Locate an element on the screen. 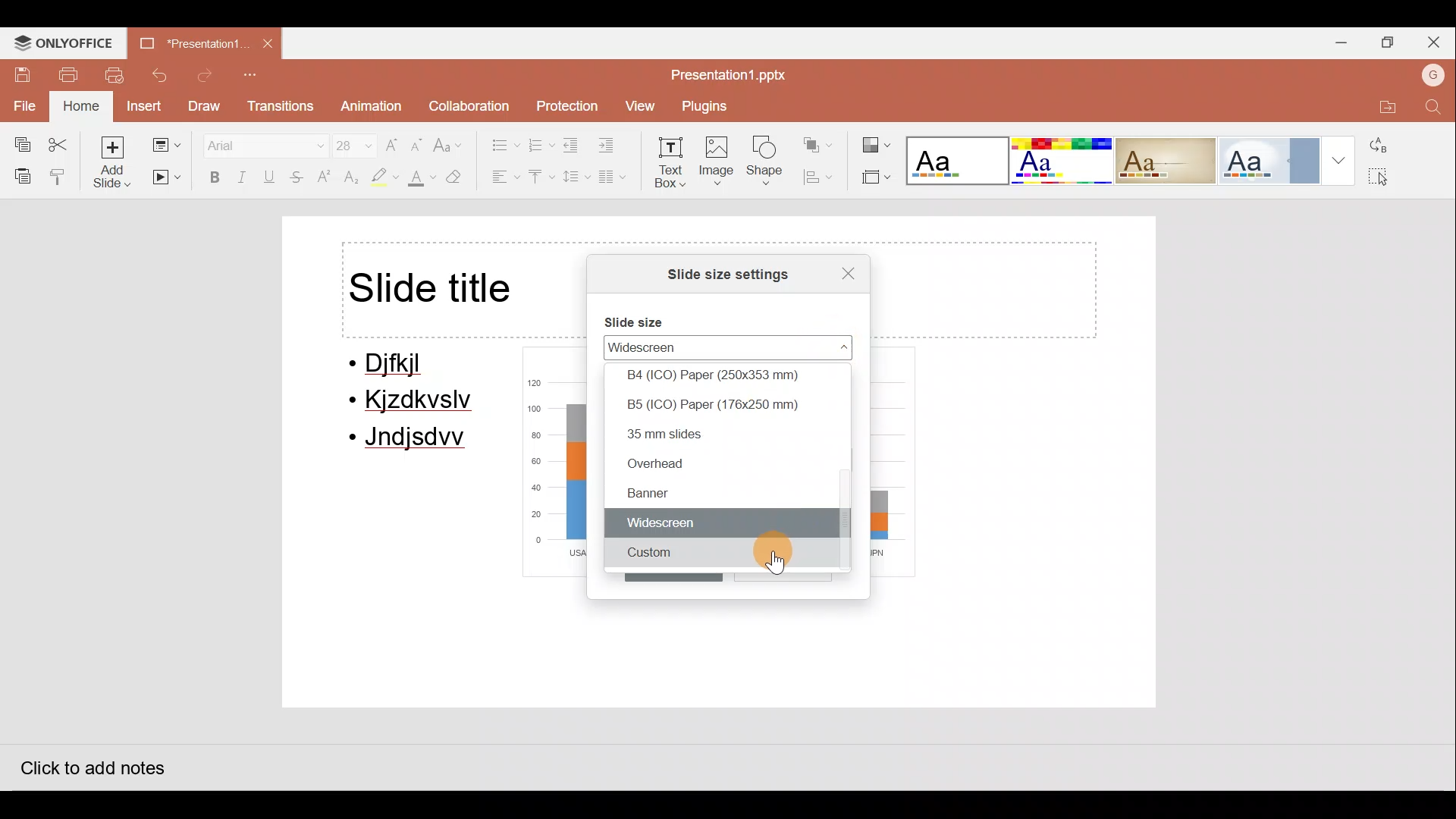 This screenshot has width=1456, height=819. Columns is located at coordinates (618, 180).